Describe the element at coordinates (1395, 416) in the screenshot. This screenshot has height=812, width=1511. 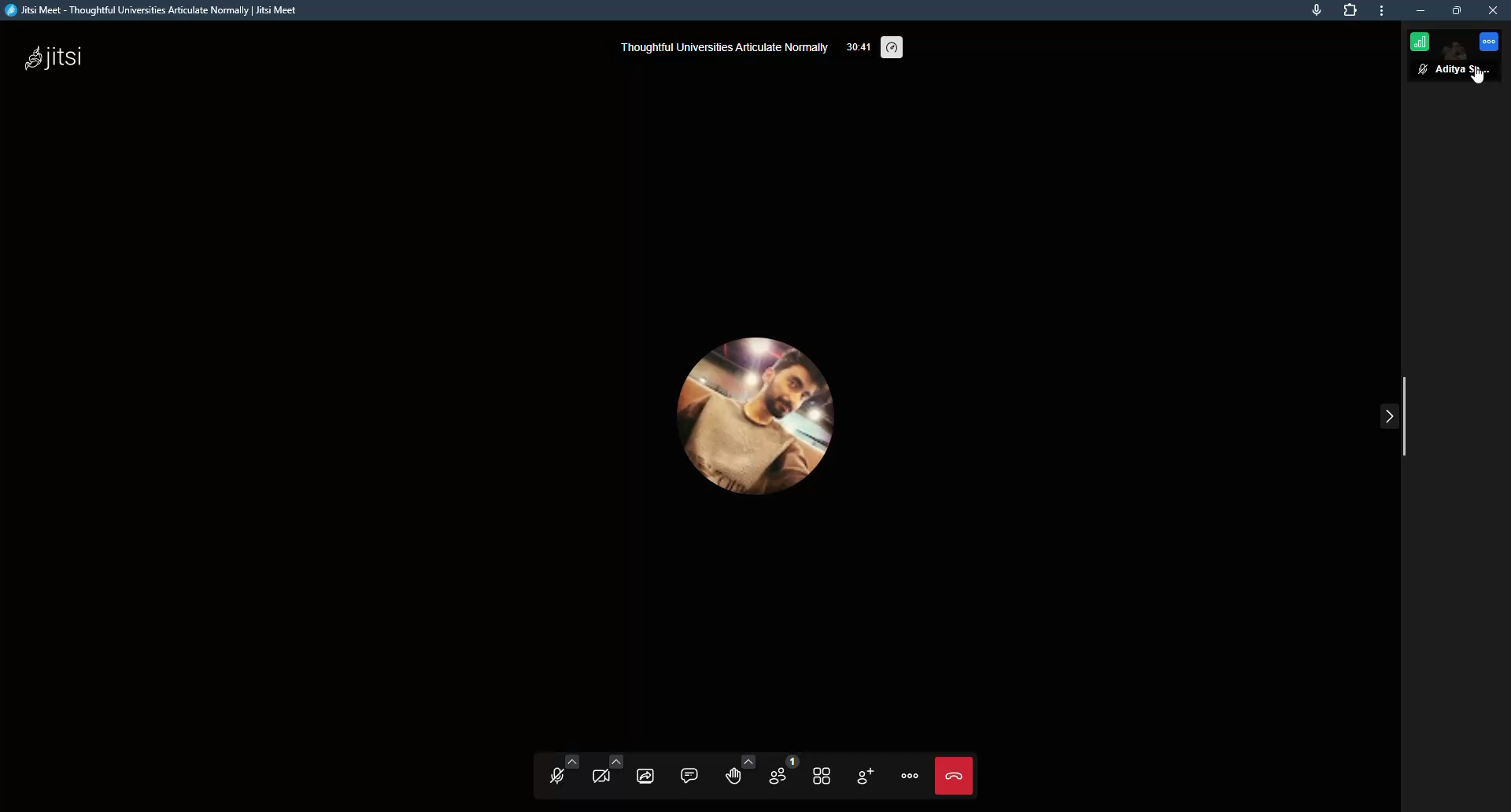
I see `collapse` at that location.